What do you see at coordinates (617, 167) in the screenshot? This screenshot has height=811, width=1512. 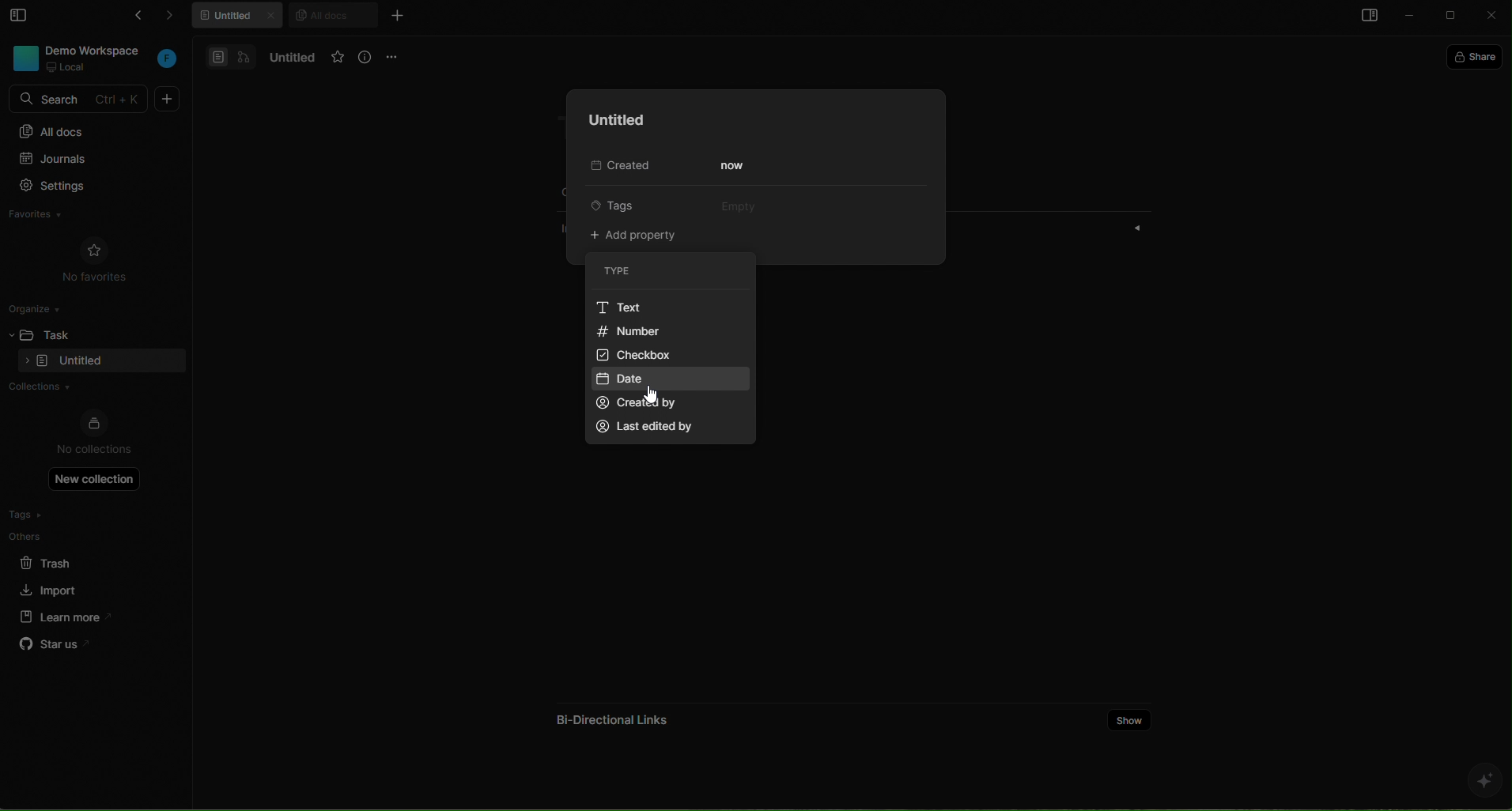 I see `Created` at bounding box center [617, 167].